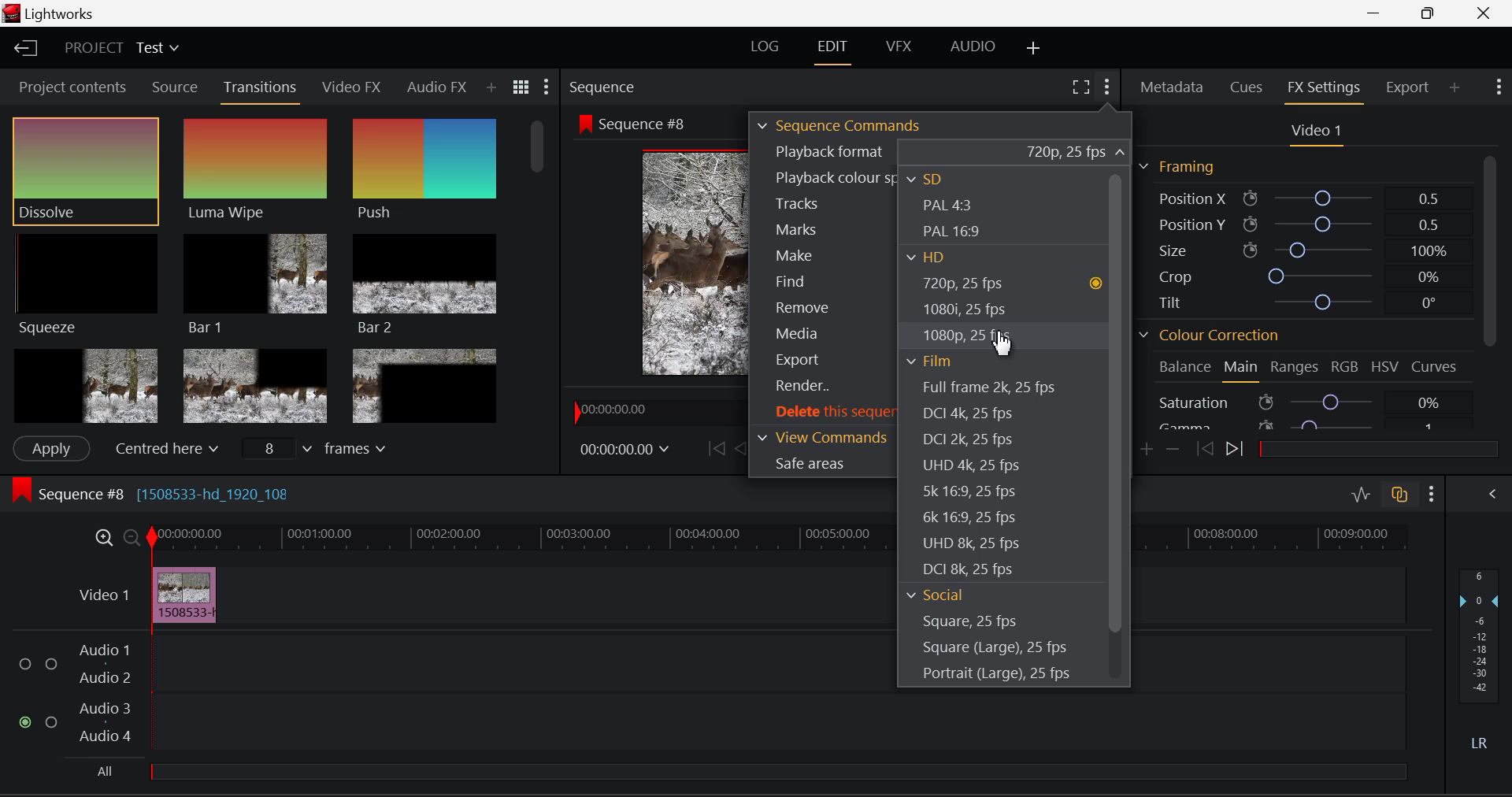 The height and width of the screenshot is (797, 1512). I want to click on Close, so click(1485, 13).